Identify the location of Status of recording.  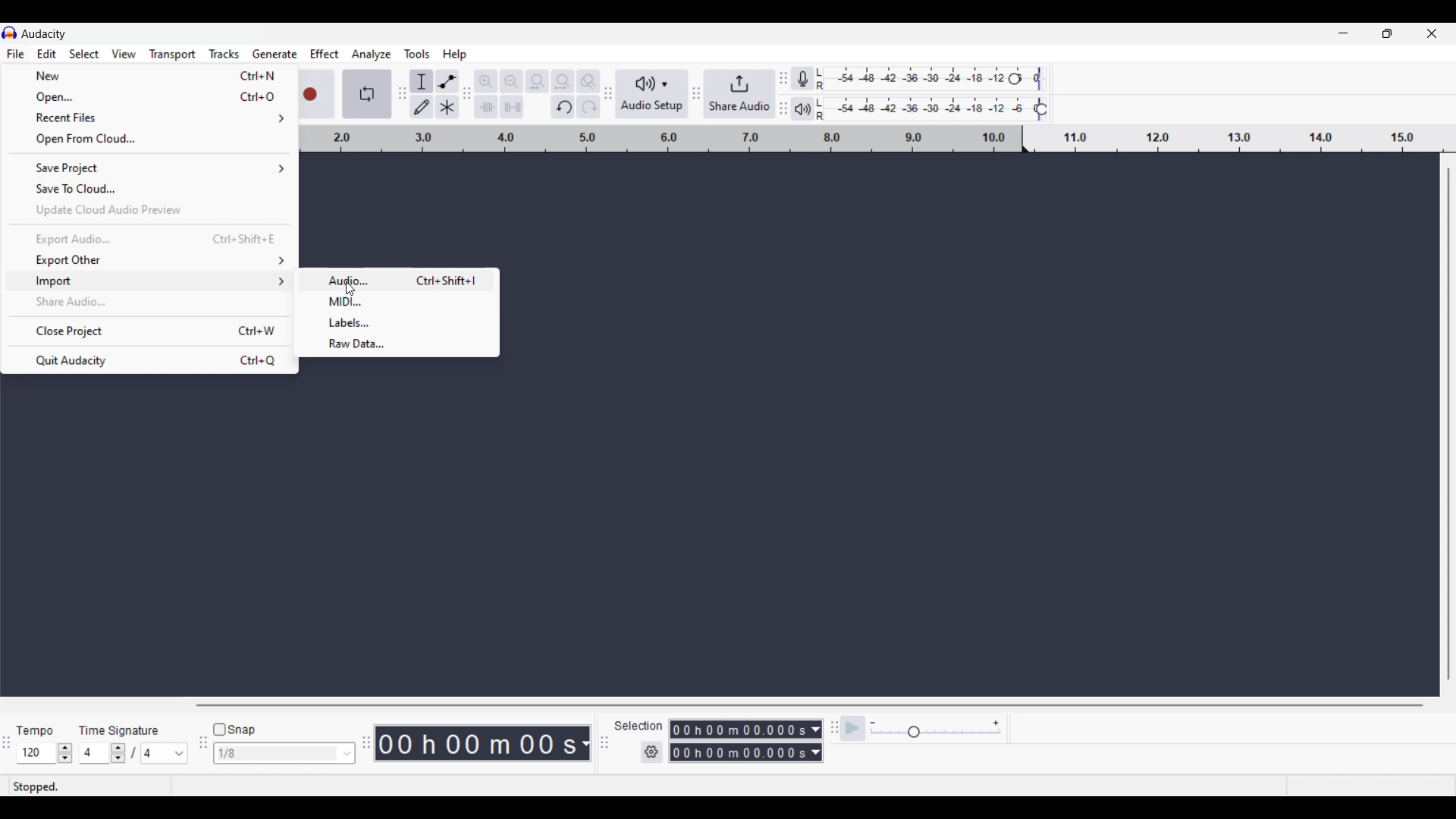
(71, 786).